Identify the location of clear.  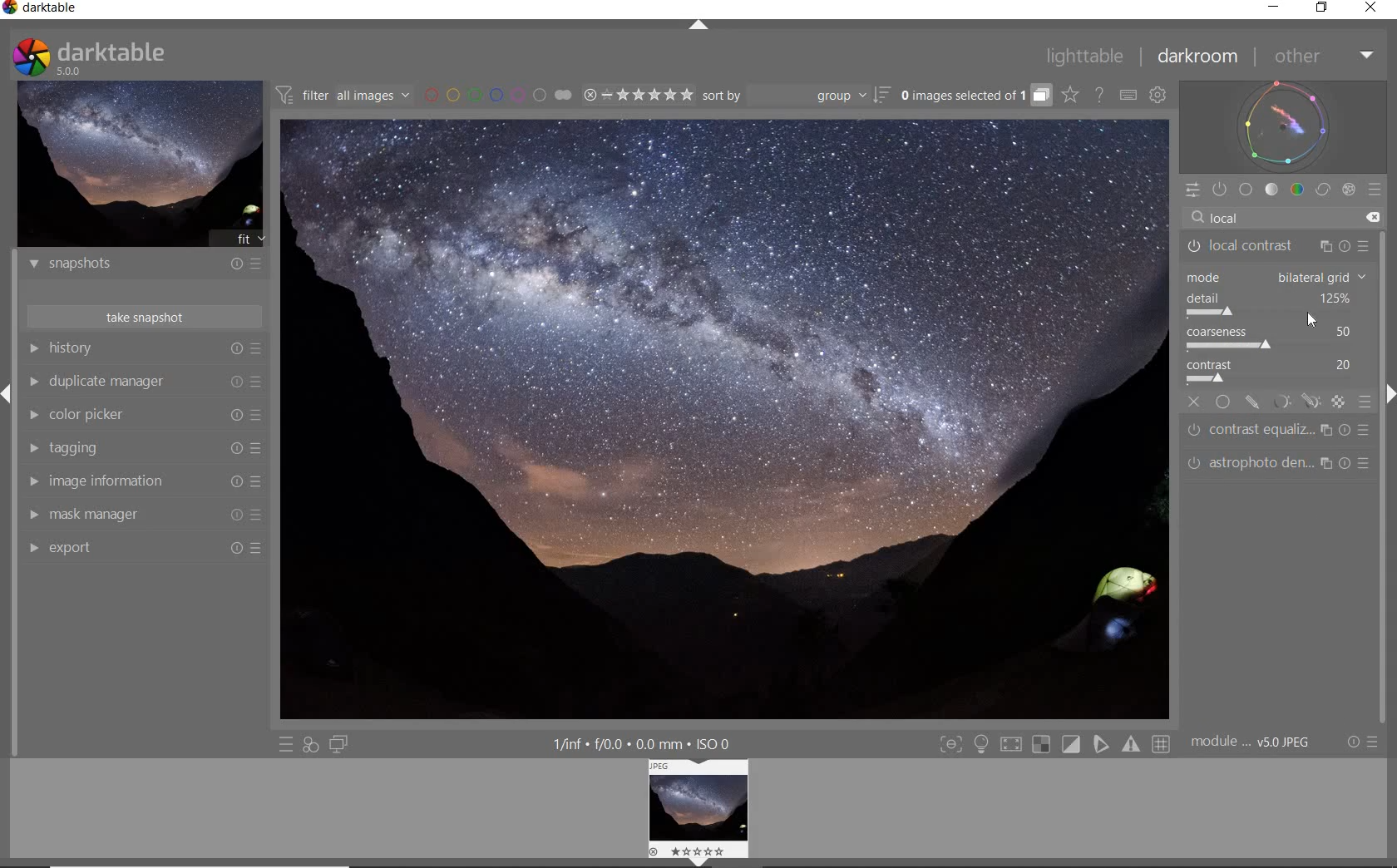
(1376, 214).